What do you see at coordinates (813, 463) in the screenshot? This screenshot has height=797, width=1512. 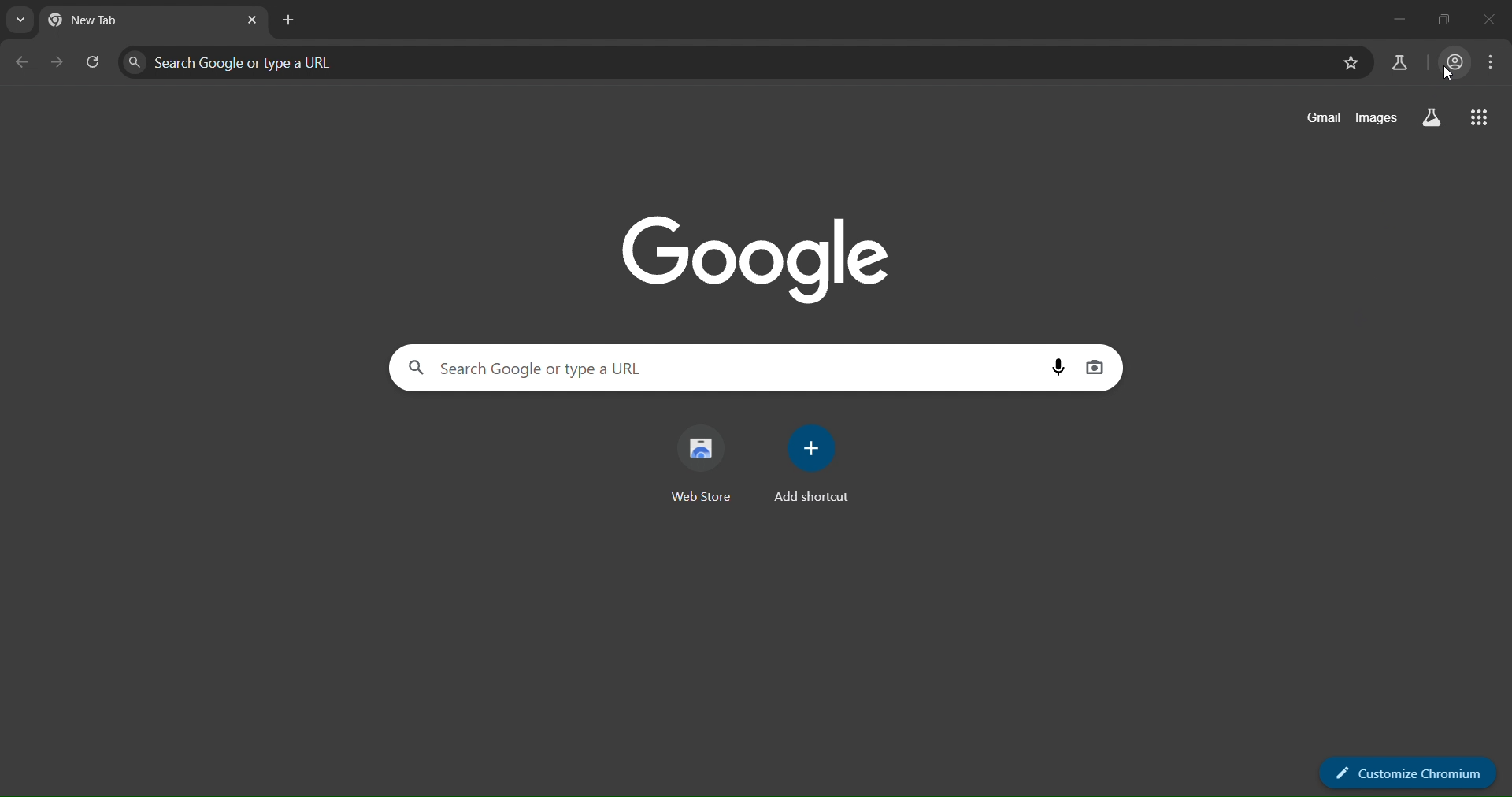 I see `add shortcut` at bounding box center [813, 463].